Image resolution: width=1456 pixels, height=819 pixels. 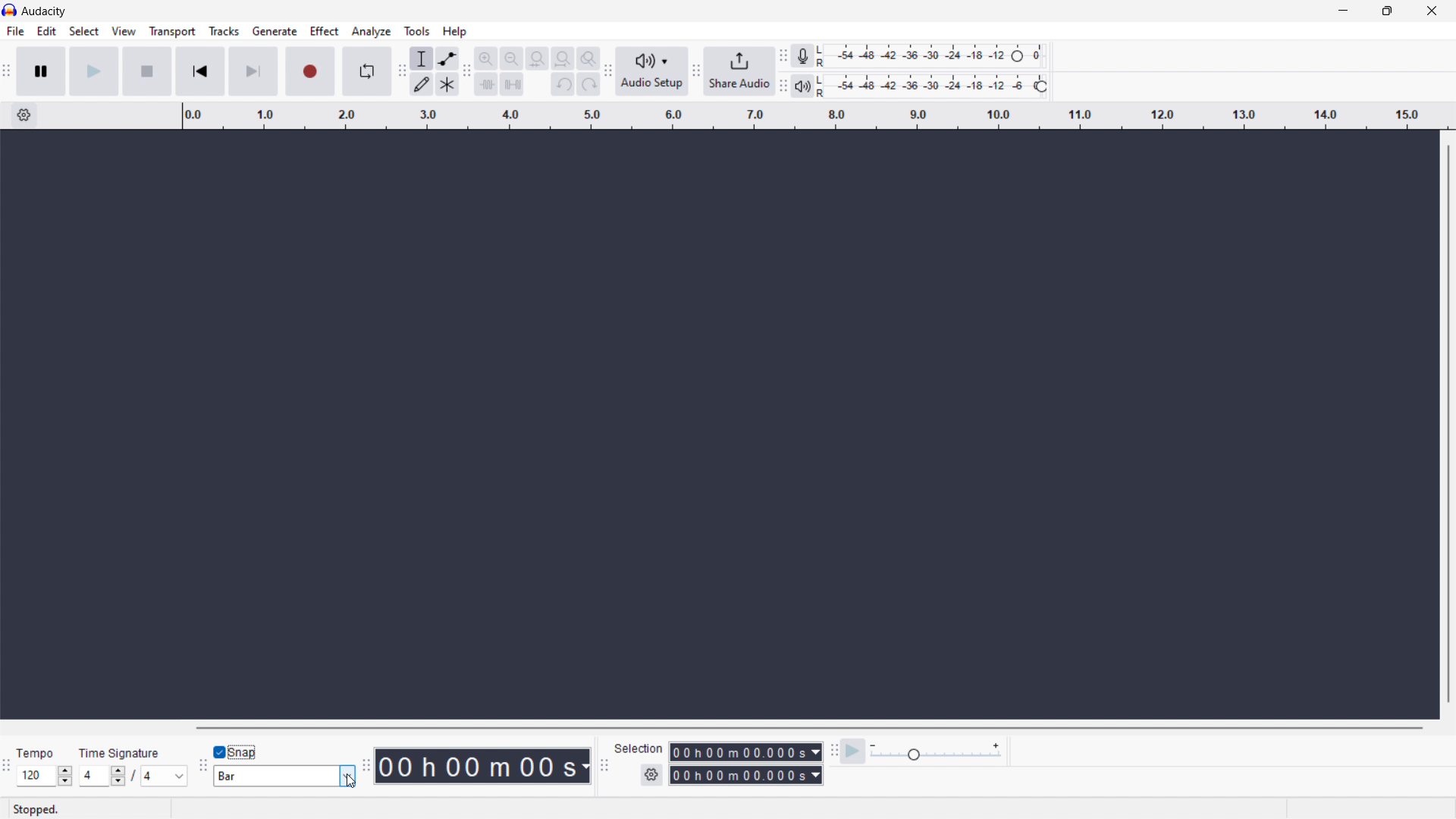 I want to click on recording meter, so click(x=802, y=55).